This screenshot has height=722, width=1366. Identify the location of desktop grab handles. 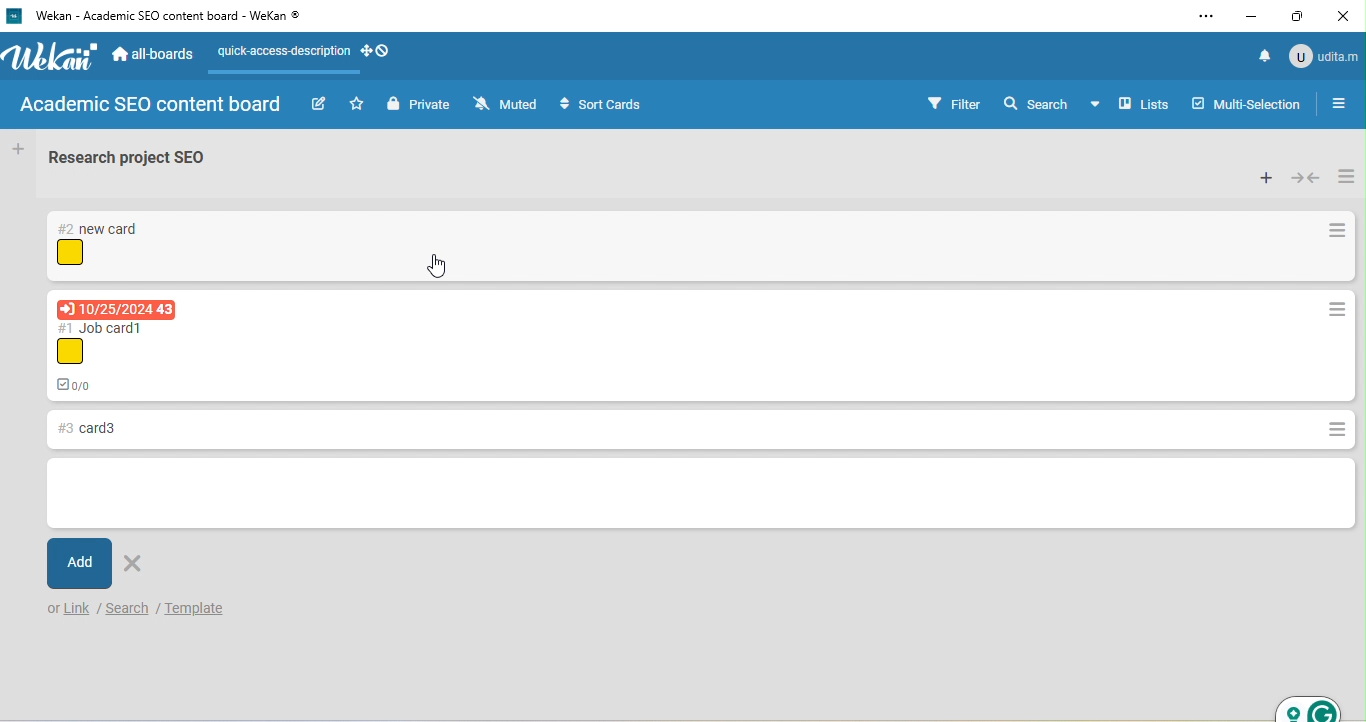
(377, 52).